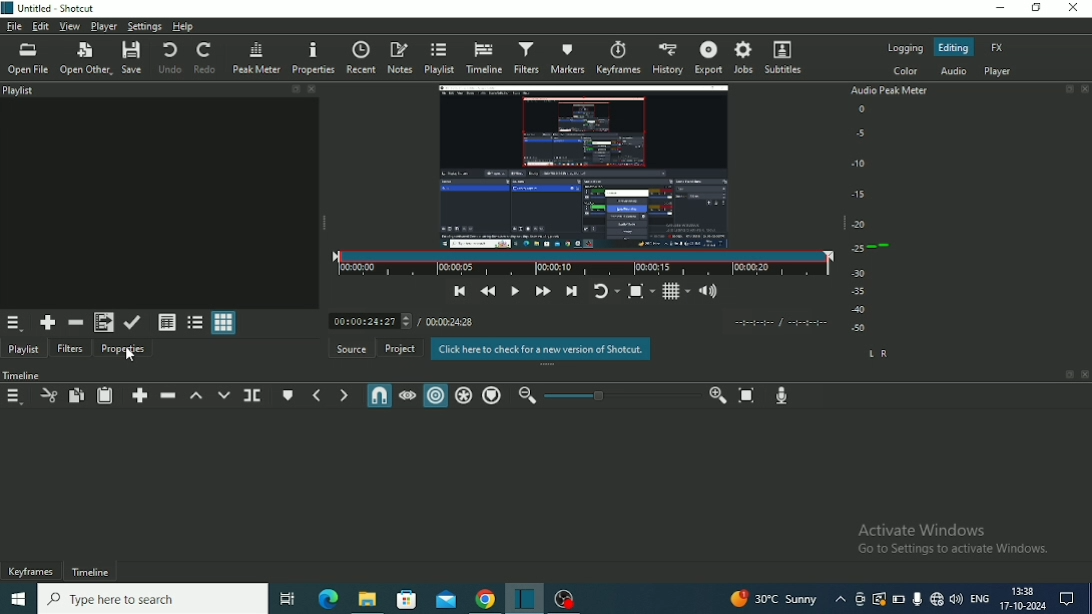 Image resolution: width=1092 pixels, height=614 pixels. Describe the element at coordinates (956, 599) in the screenshot. I see `Speakers` at that location.